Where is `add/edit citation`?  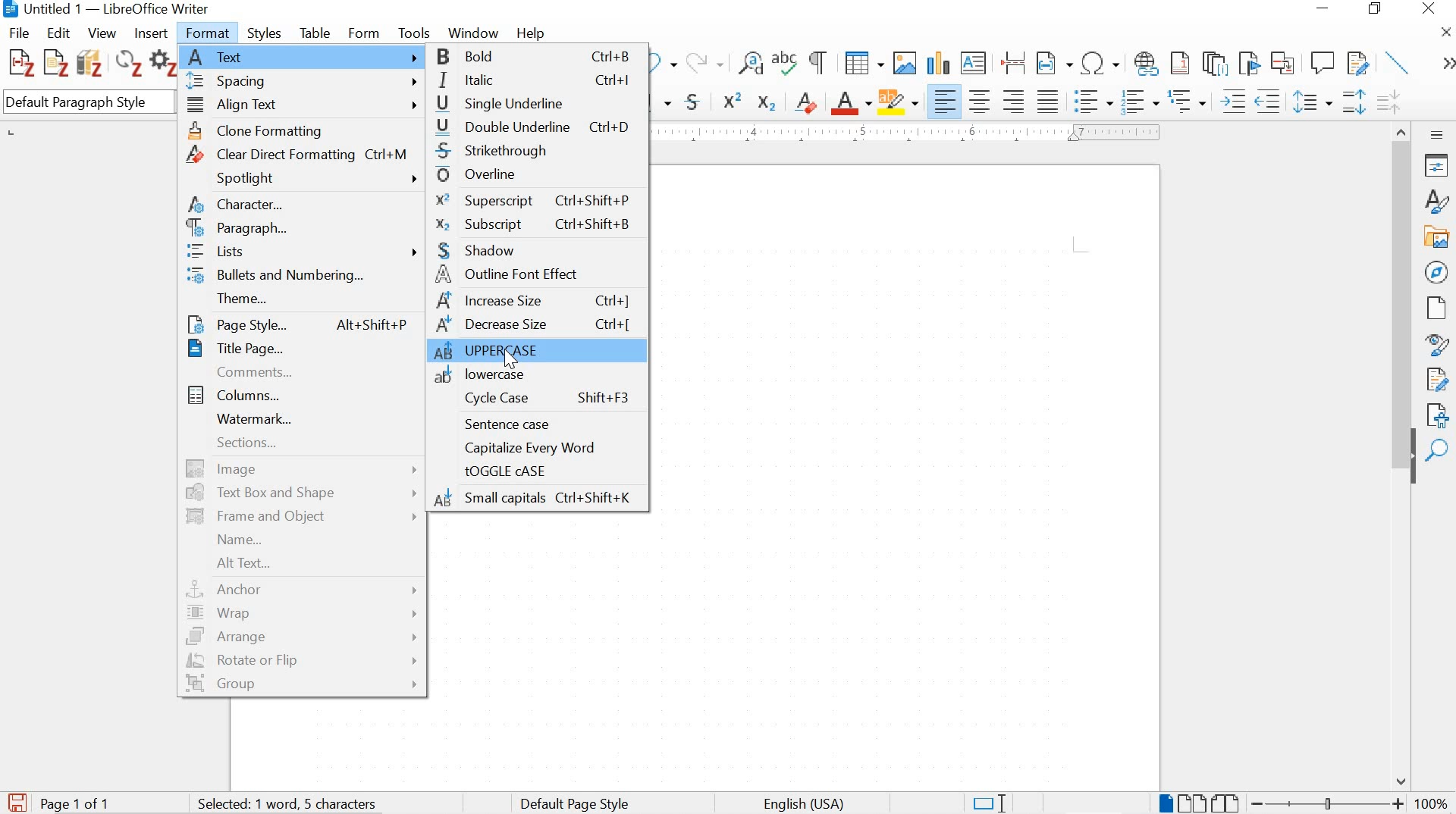 add/edit citation is located at coordinates (21, 64).